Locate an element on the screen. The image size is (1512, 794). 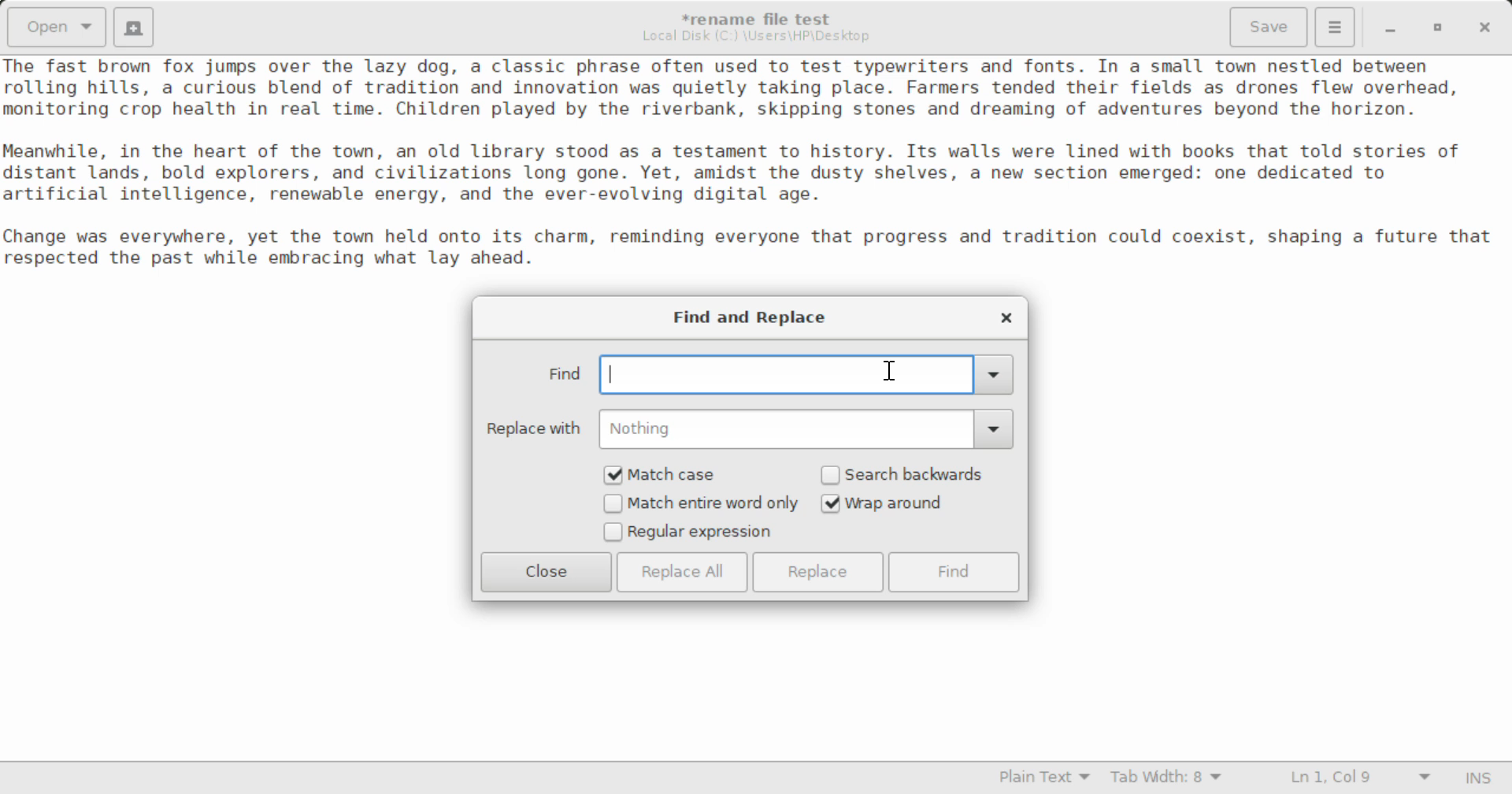
Wrap around is located at coordinates (907, 503).